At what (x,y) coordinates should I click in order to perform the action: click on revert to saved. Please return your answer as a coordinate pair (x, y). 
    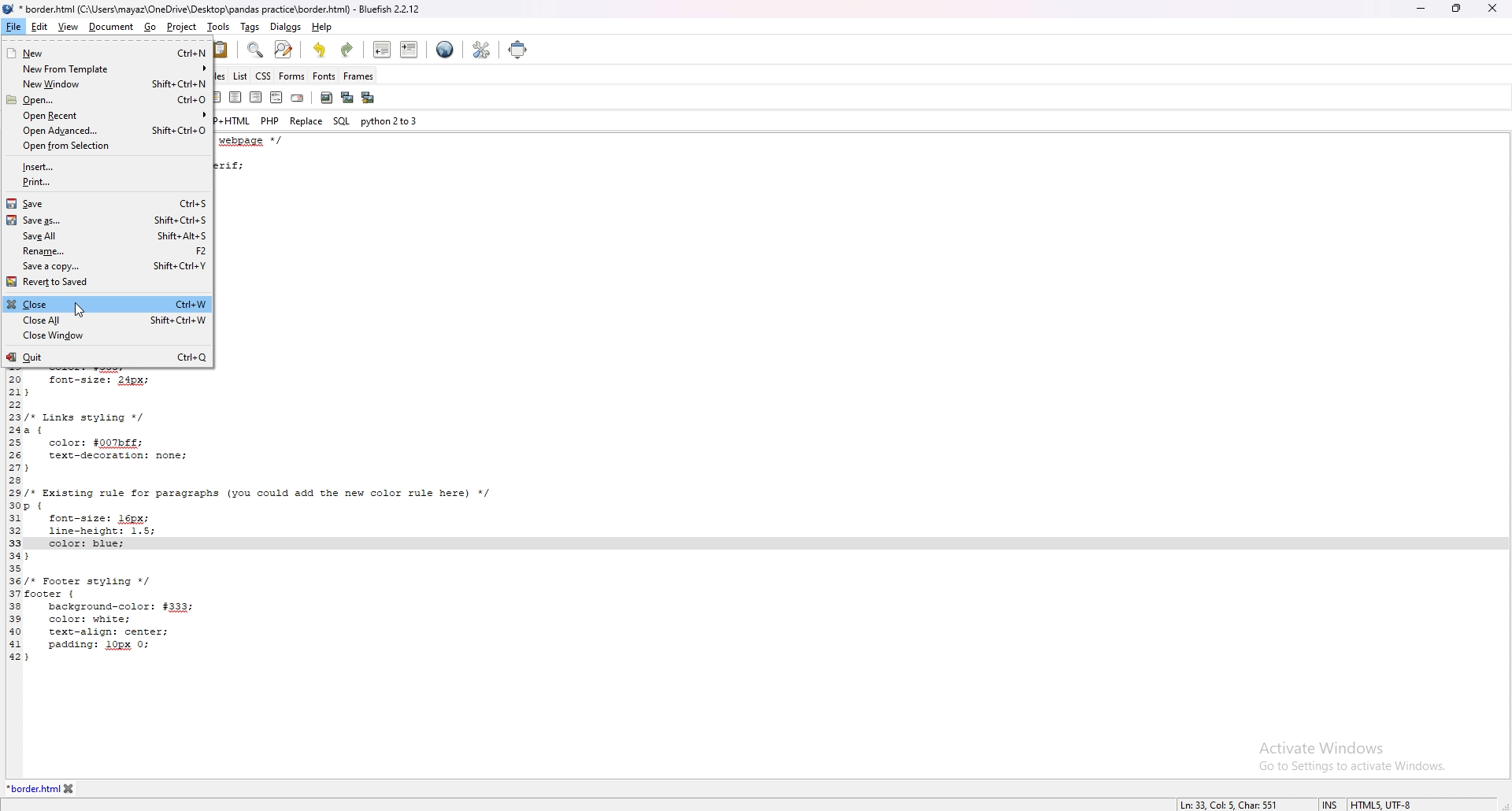
    Looking at the image, I should click on (107, 283).